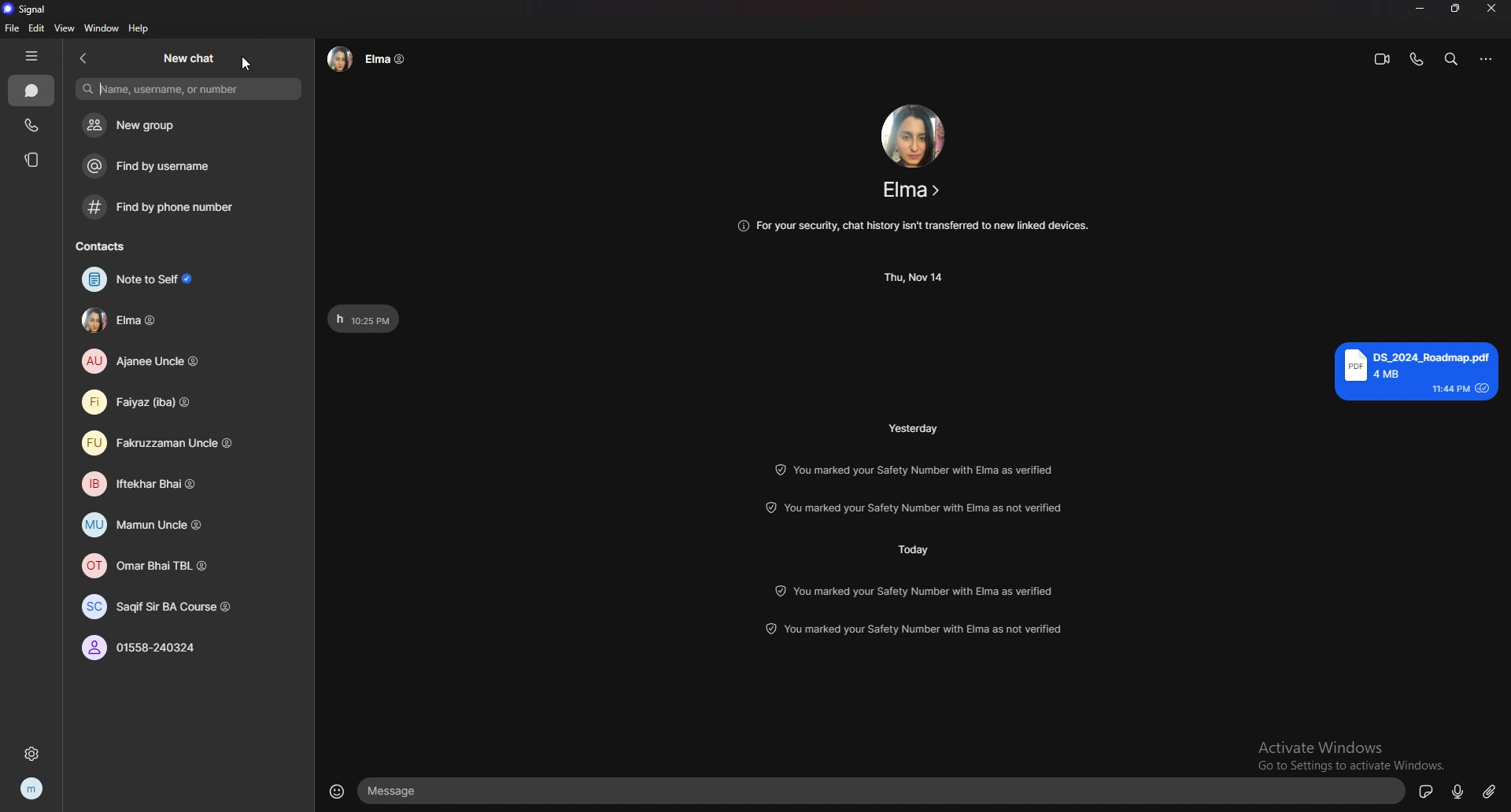  Describe the element at coordinates (1487, 60) in the screenshot. I see `options` at that location.